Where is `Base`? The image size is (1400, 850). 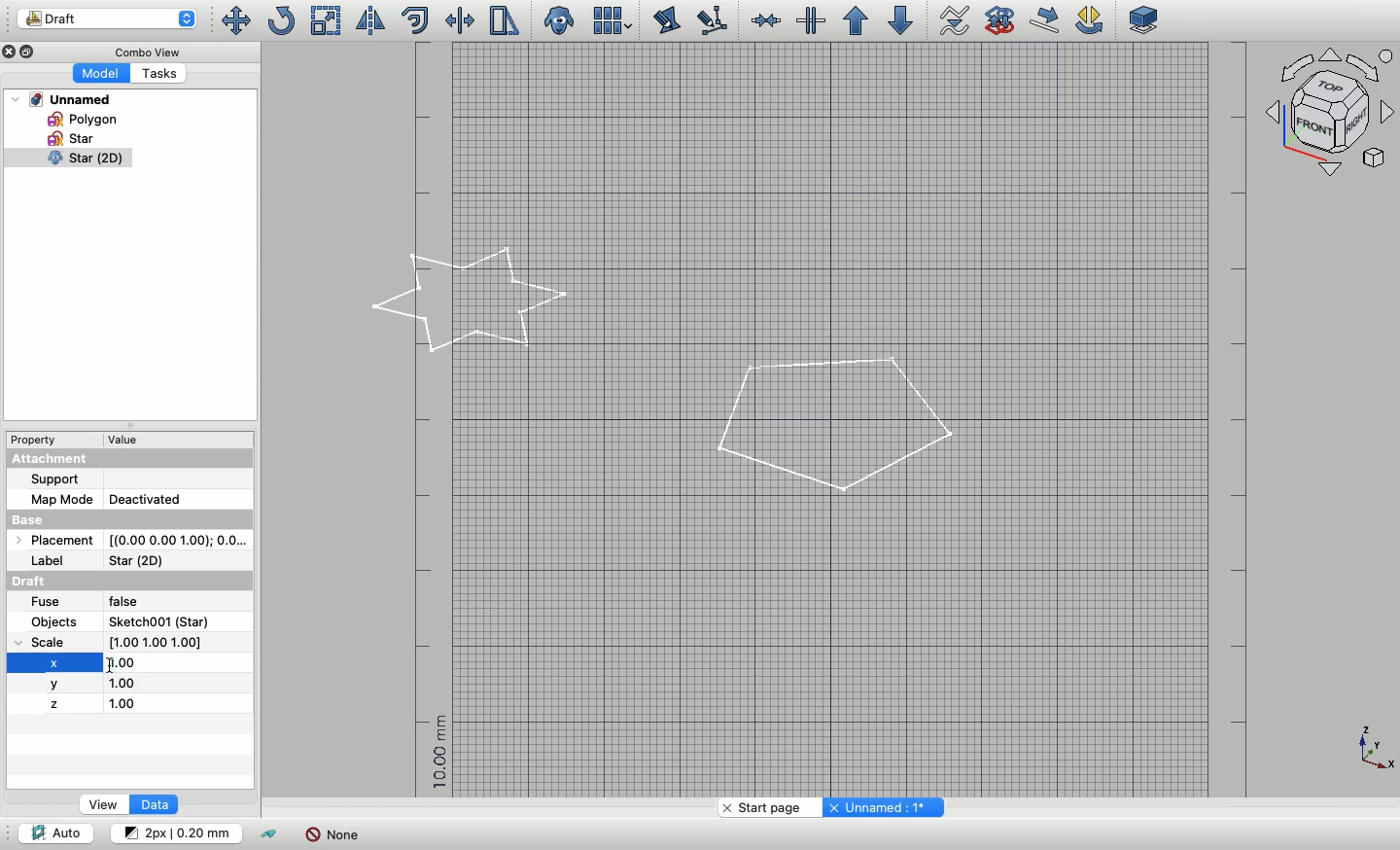 Base is located at coordinates (129, 519).